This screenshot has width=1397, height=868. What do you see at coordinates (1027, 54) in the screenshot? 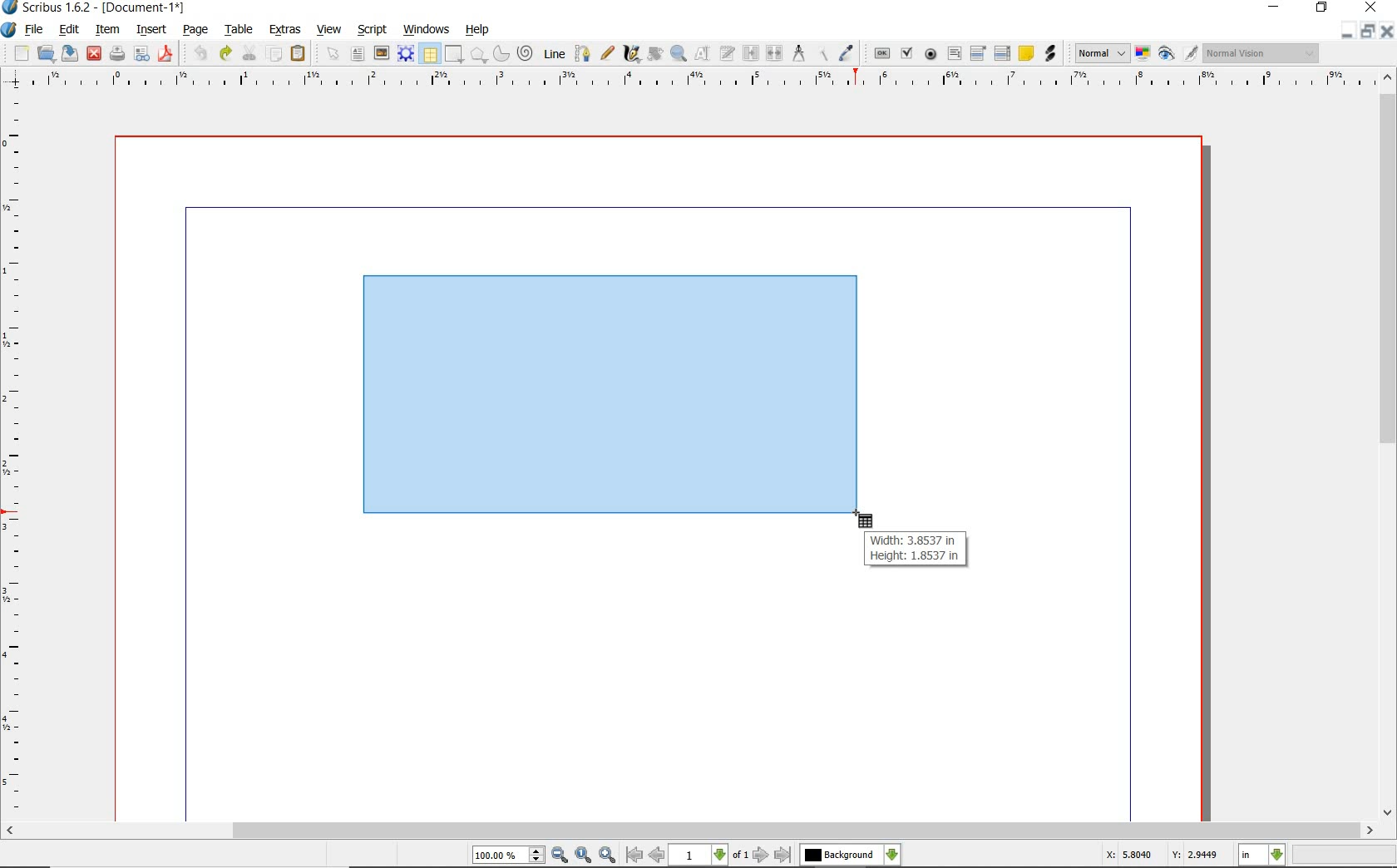
I see `text annotation` at bounding box center [1027, 54].